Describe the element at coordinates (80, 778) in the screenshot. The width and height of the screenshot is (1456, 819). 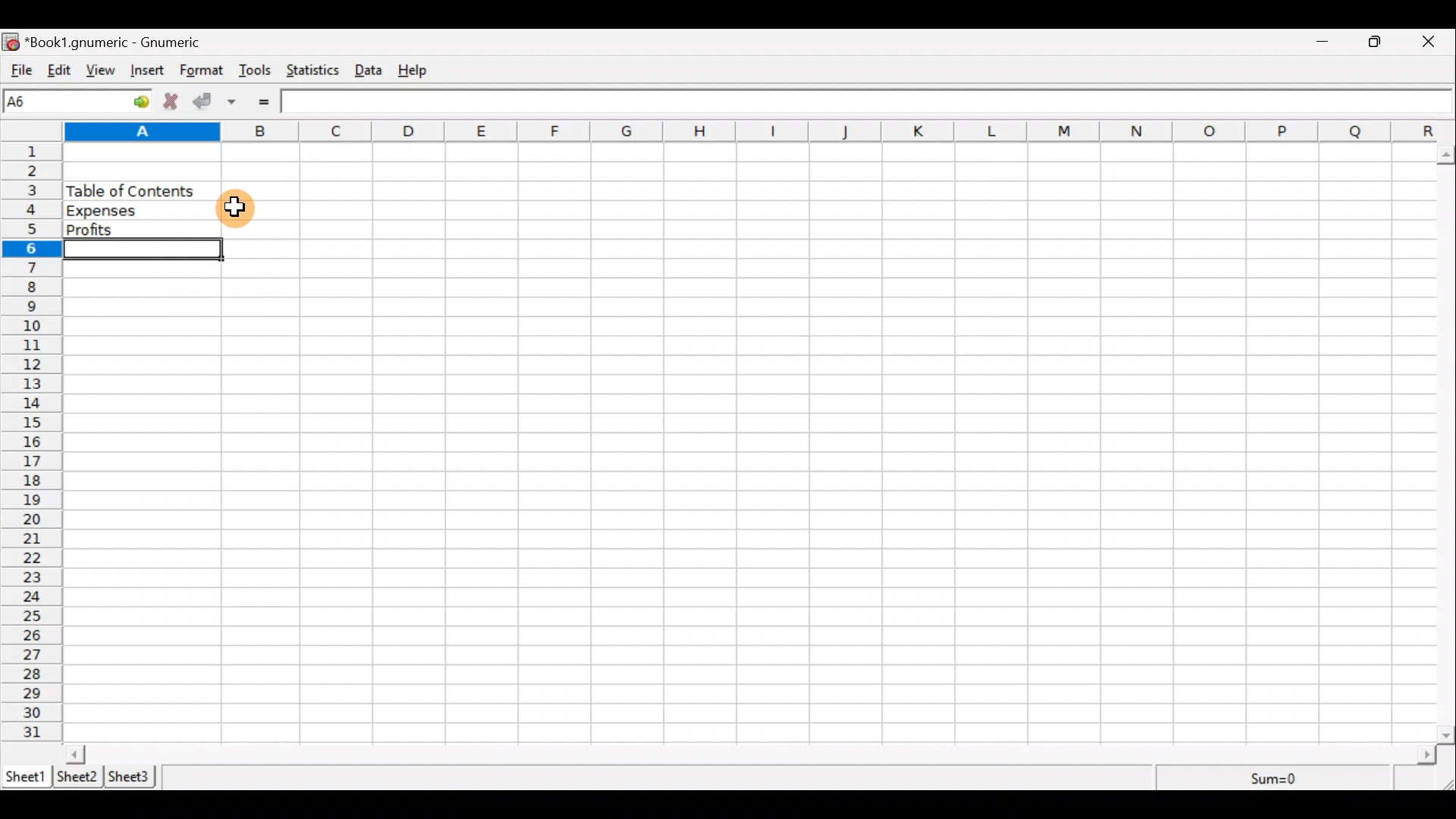
I see `Sheet 2` at that location.